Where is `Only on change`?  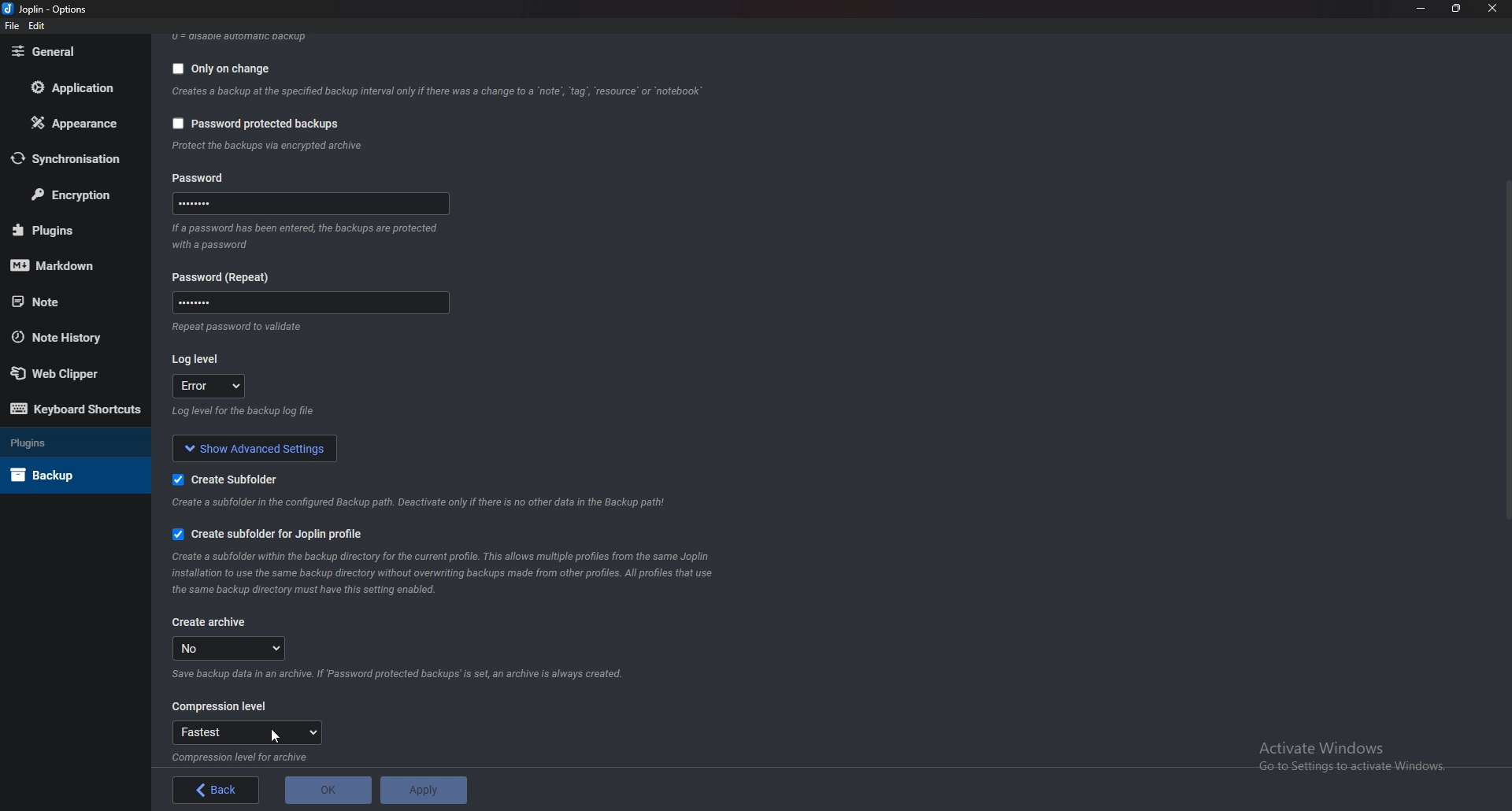 Only on change is located at coordinates (217, 71).